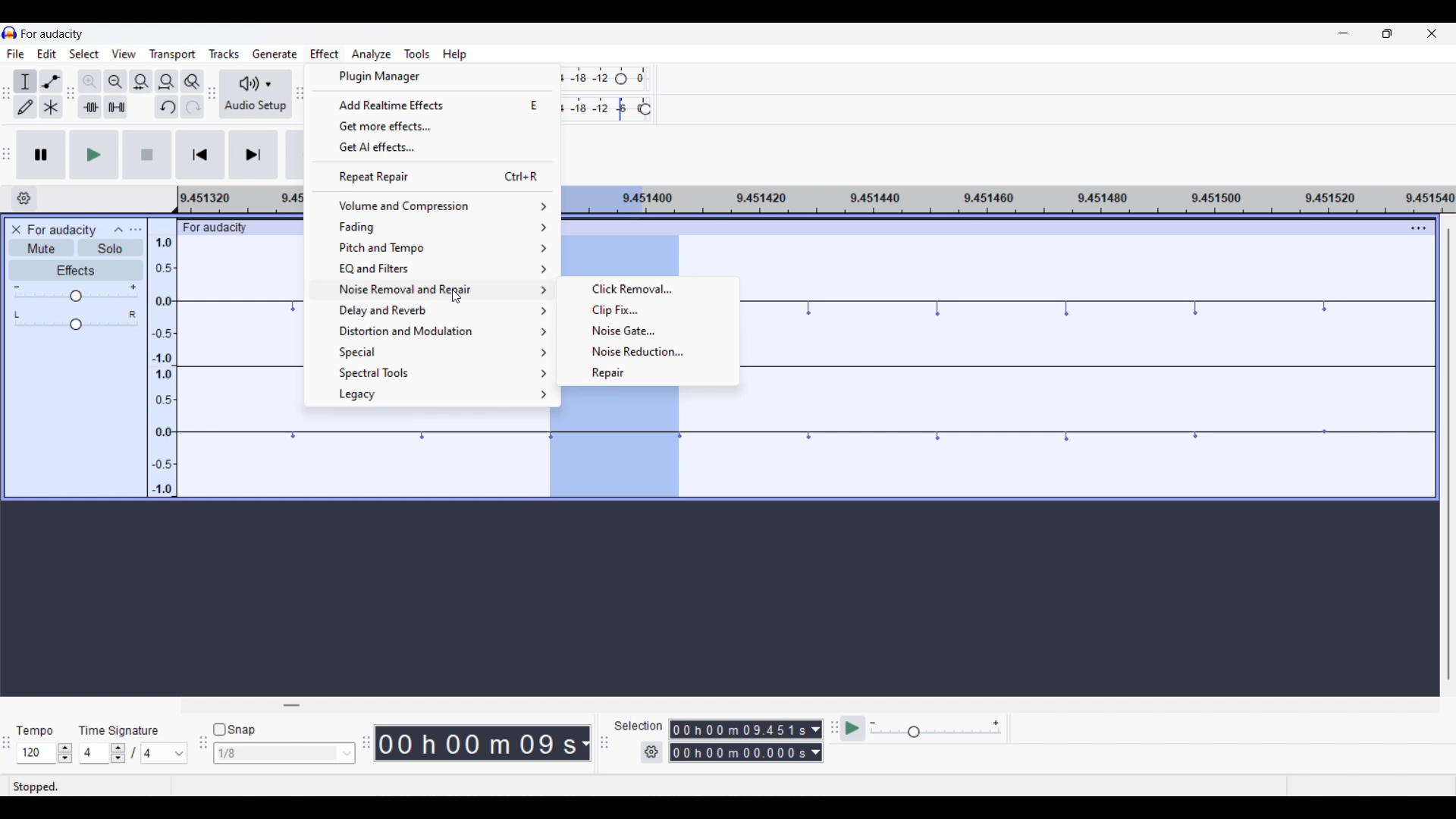 The image size is (1456, 819). What do you see at coordinates (225, 227) in the screenshot?
I see `For audacity` at bounding box center [225, 227].